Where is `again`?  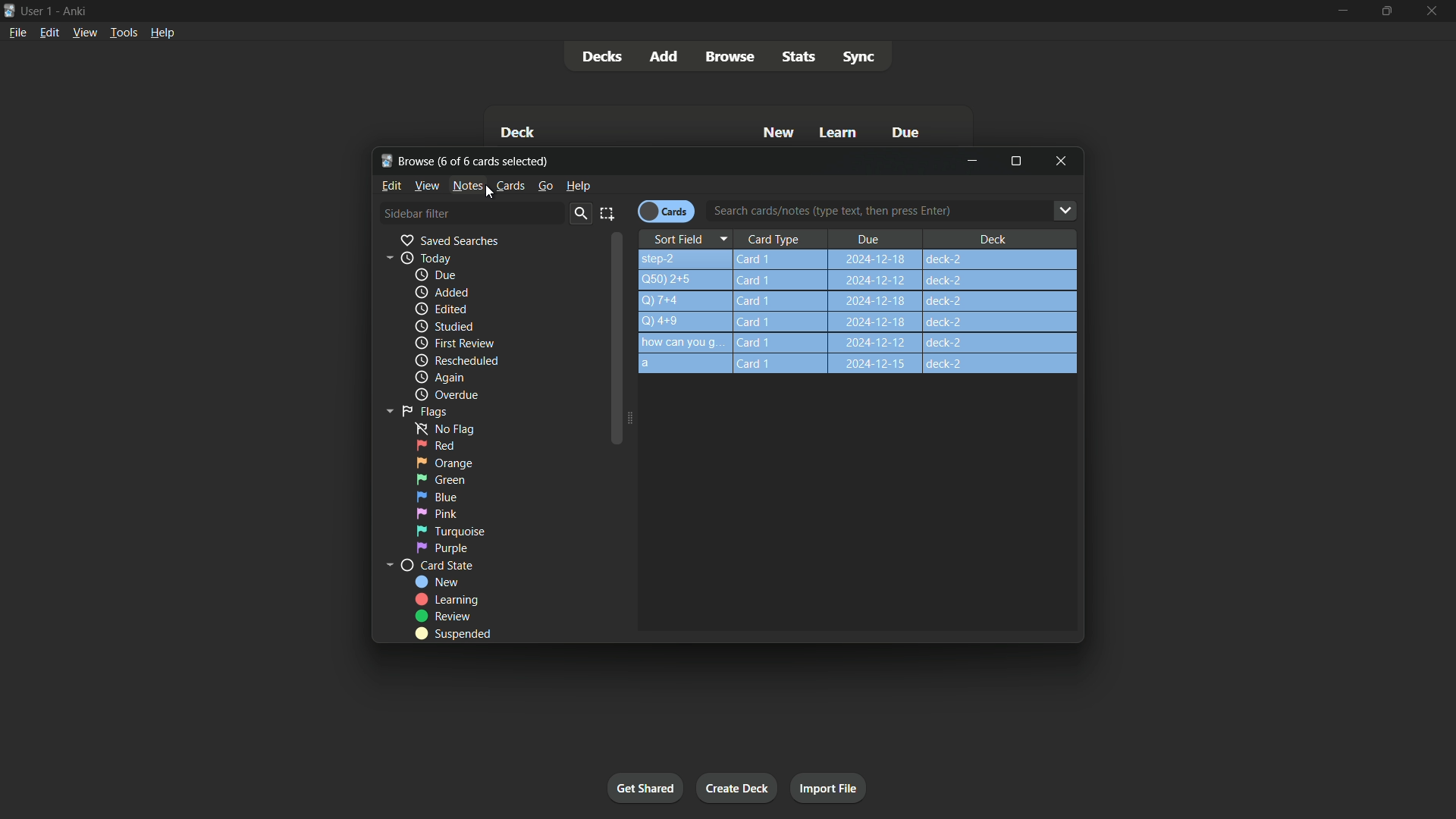
again is located at coordinates (439, 378).